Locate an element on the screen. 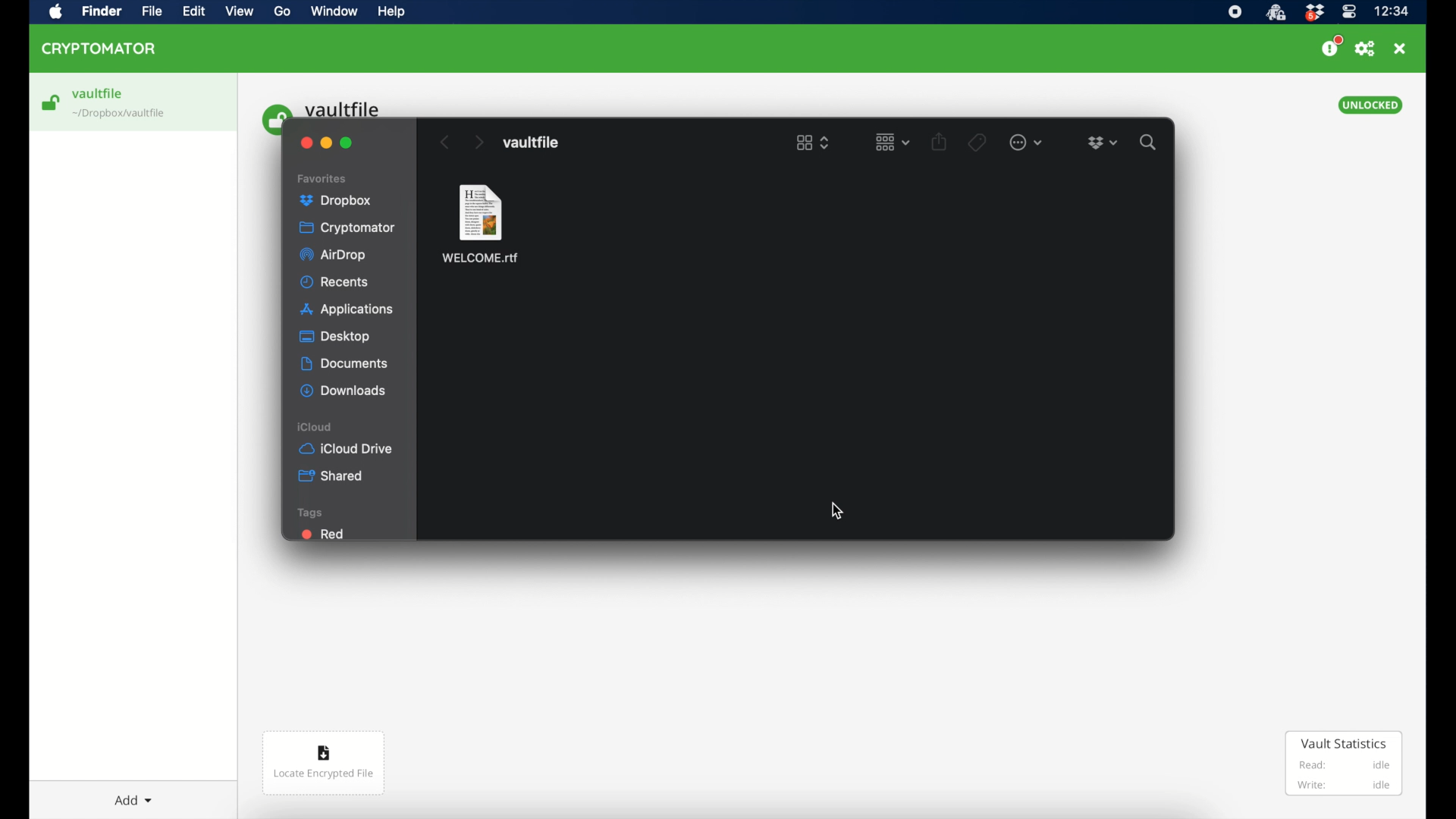 The image size is (1456, 819). dropbox is located at coordinates (337, 202).